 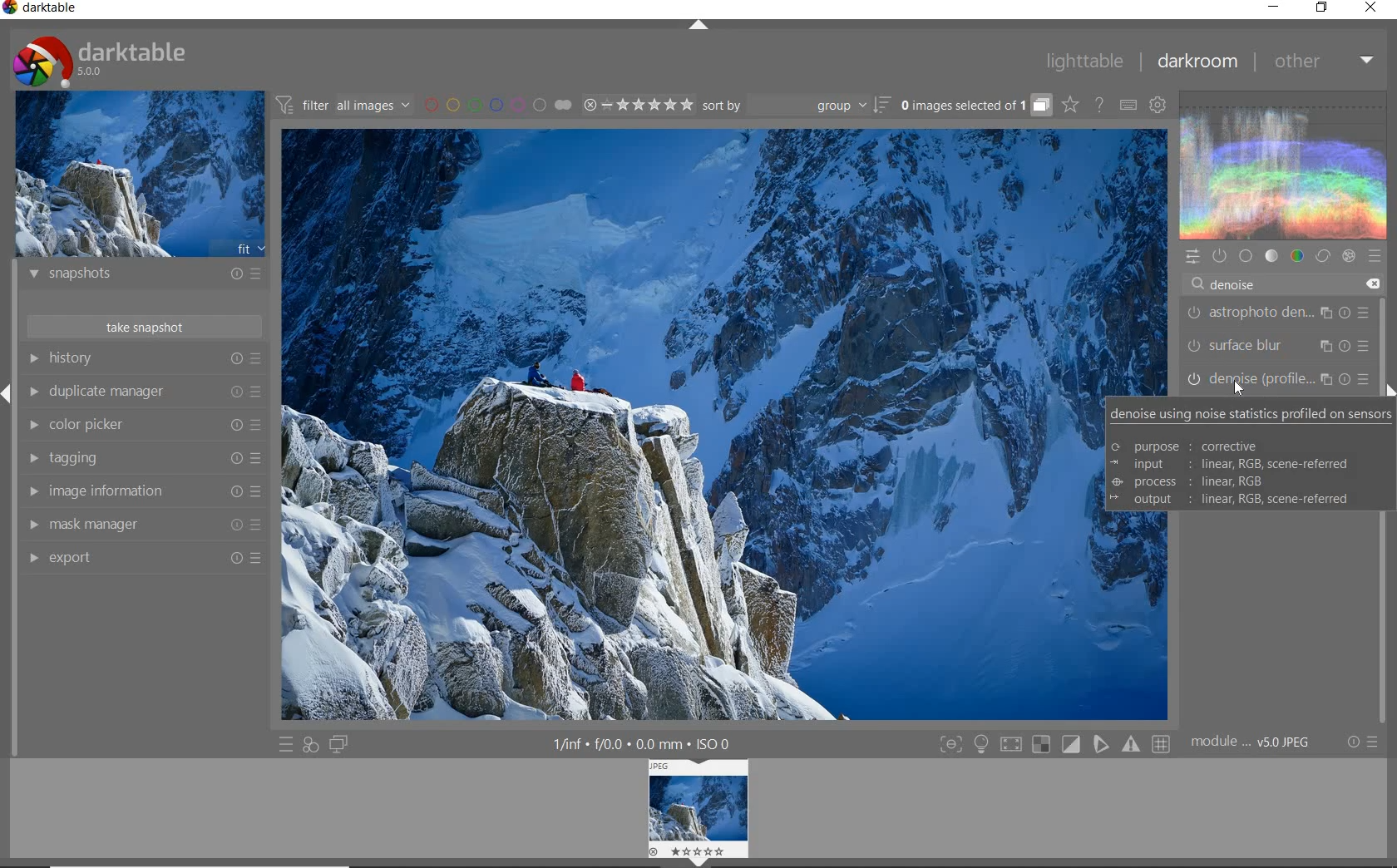 I want to click on CURSOR, so click(x=1238, y=390).